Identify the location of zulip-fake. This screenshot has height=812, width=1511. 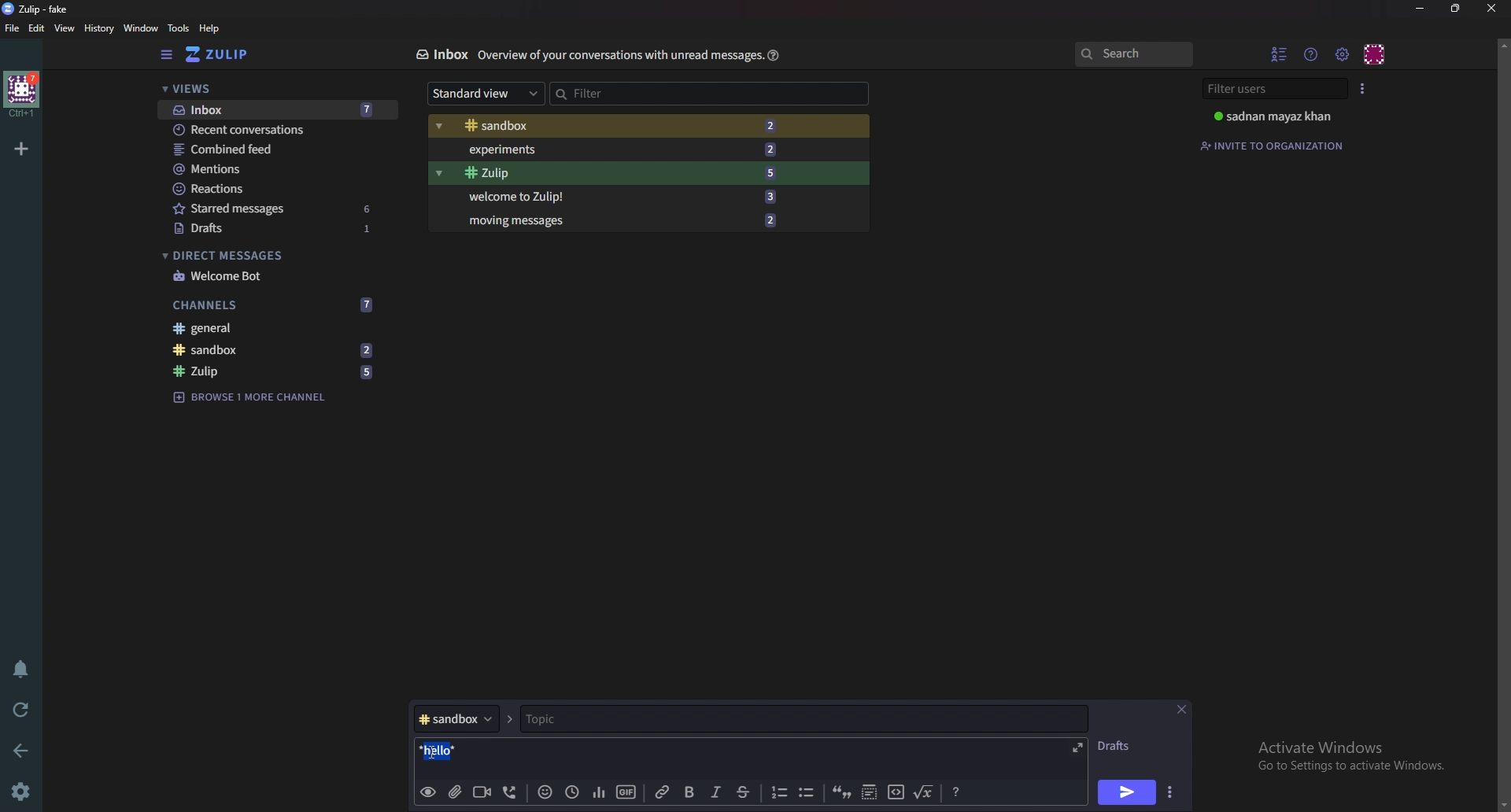
(38, 9).